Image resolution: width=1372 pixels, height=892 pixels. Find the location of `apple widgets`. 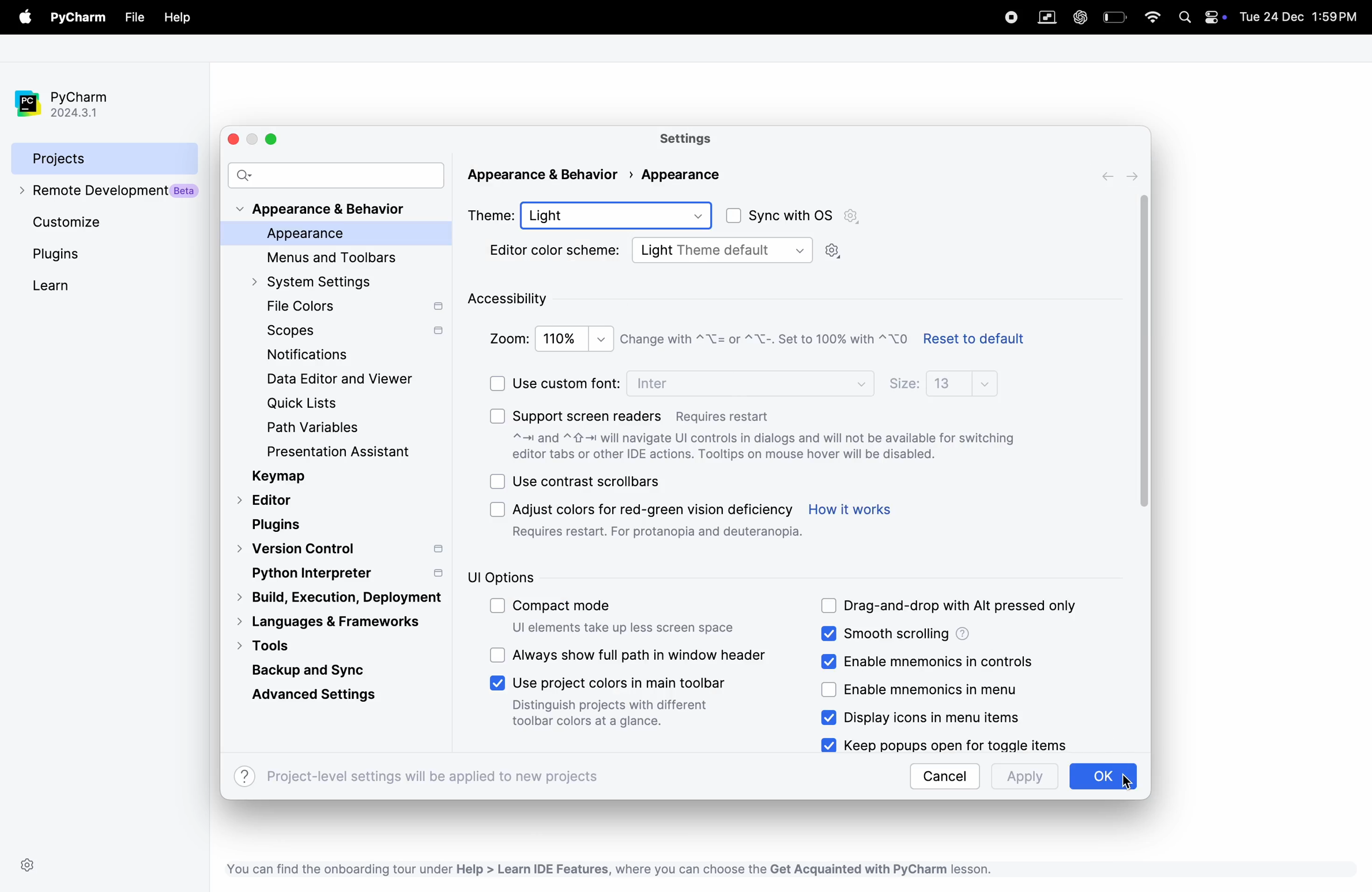

apple widgets is located at coordinates (1200, 20).